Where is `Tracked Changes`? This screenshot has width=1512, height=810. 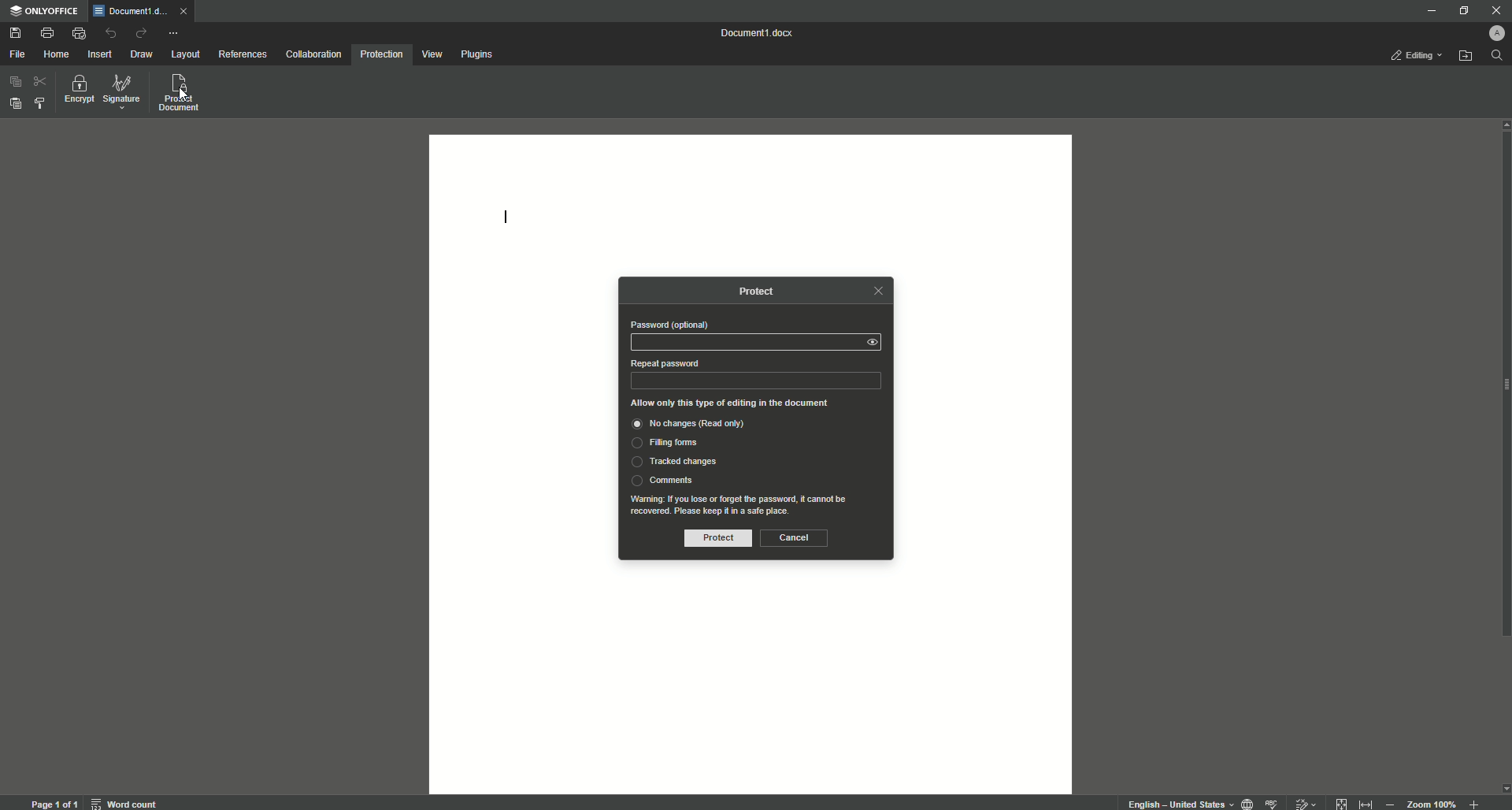 Tracked Changes is located at coordinates (673, 463).